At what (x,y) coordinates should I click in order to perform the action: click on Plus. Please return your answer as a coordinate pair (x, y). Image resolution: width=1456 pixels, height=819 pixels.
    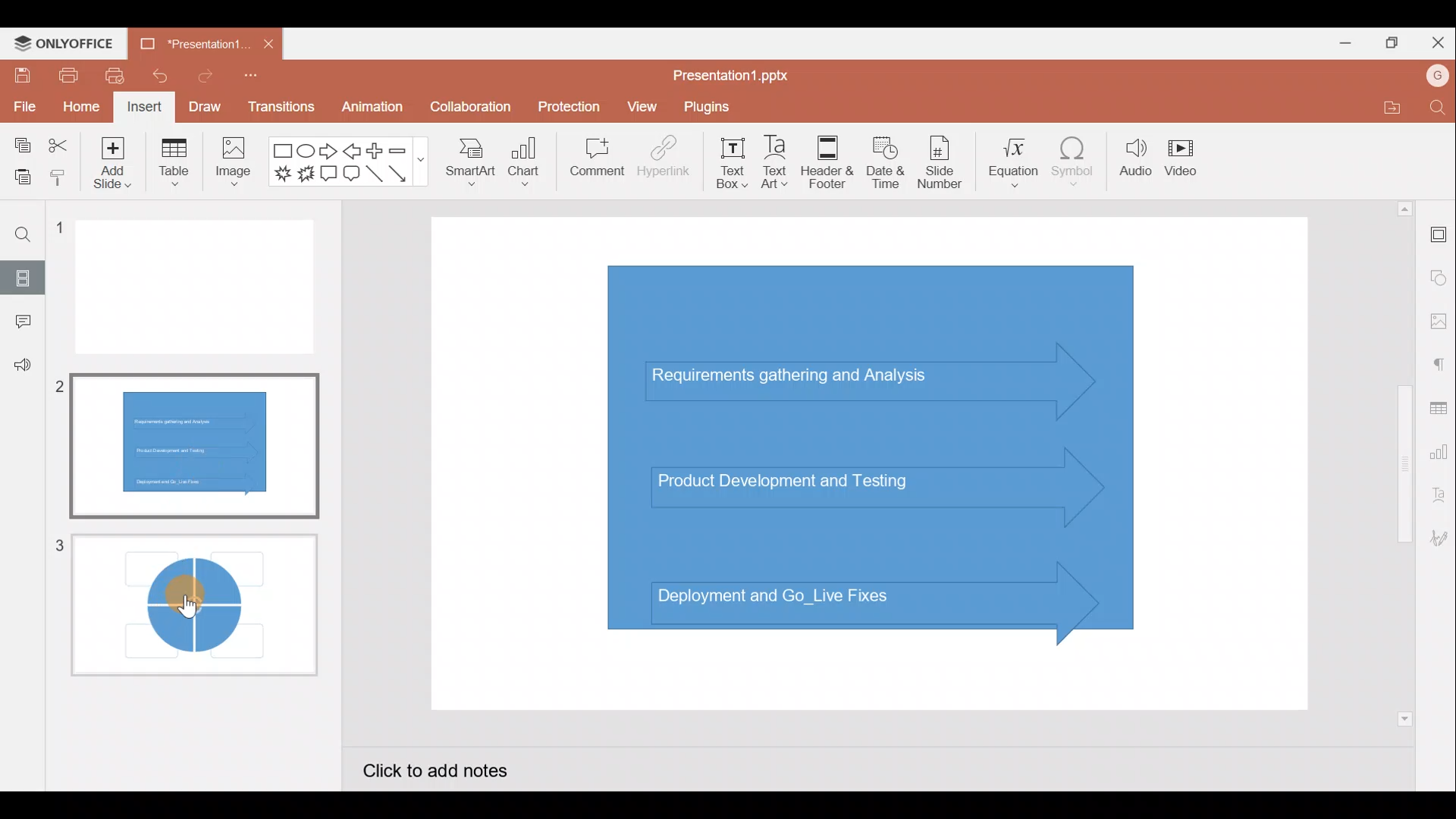
    Looking at the image, I should click on (375, 149).